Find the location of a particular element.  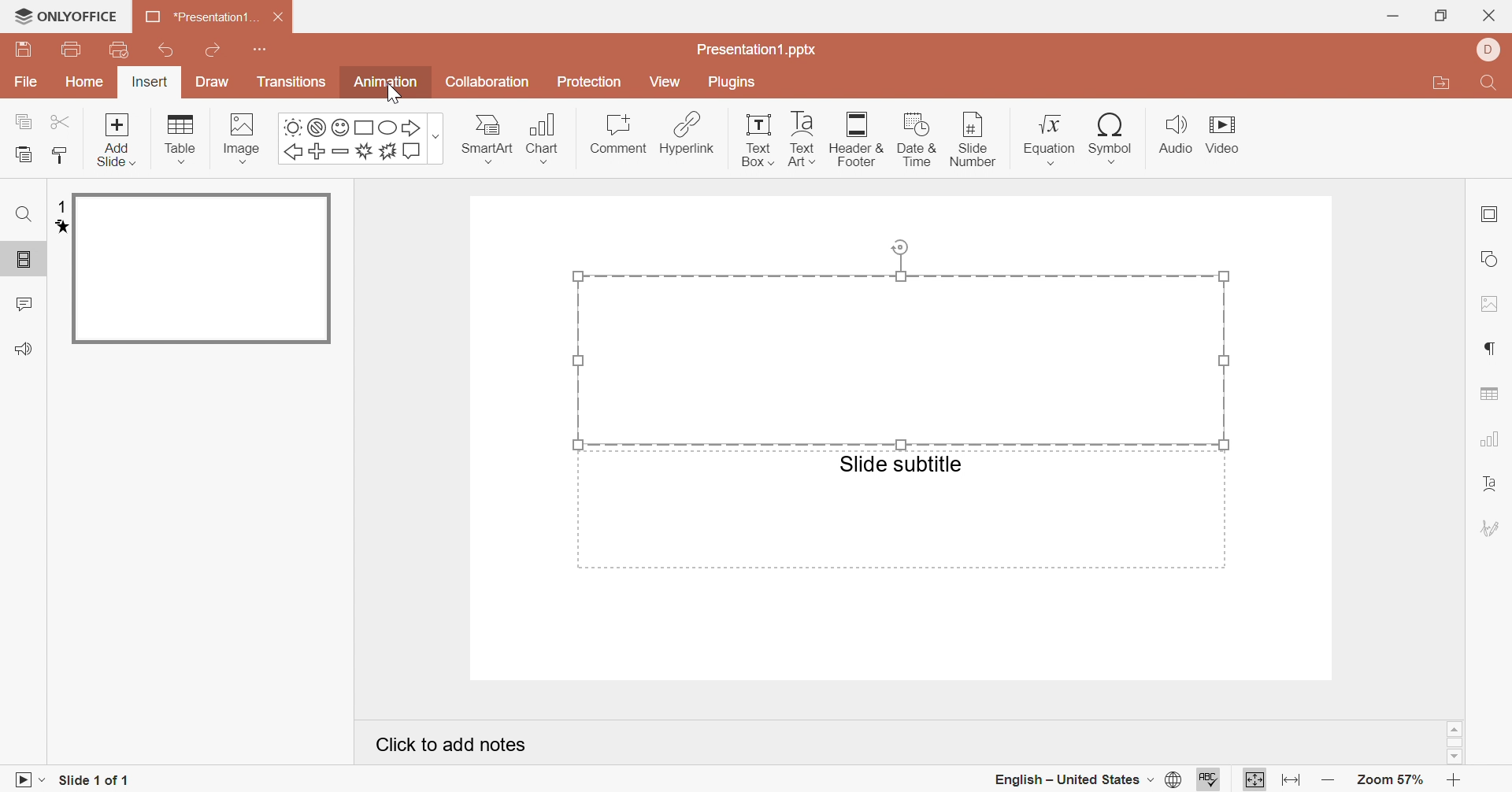

smile is located at coordinates (340, 128).